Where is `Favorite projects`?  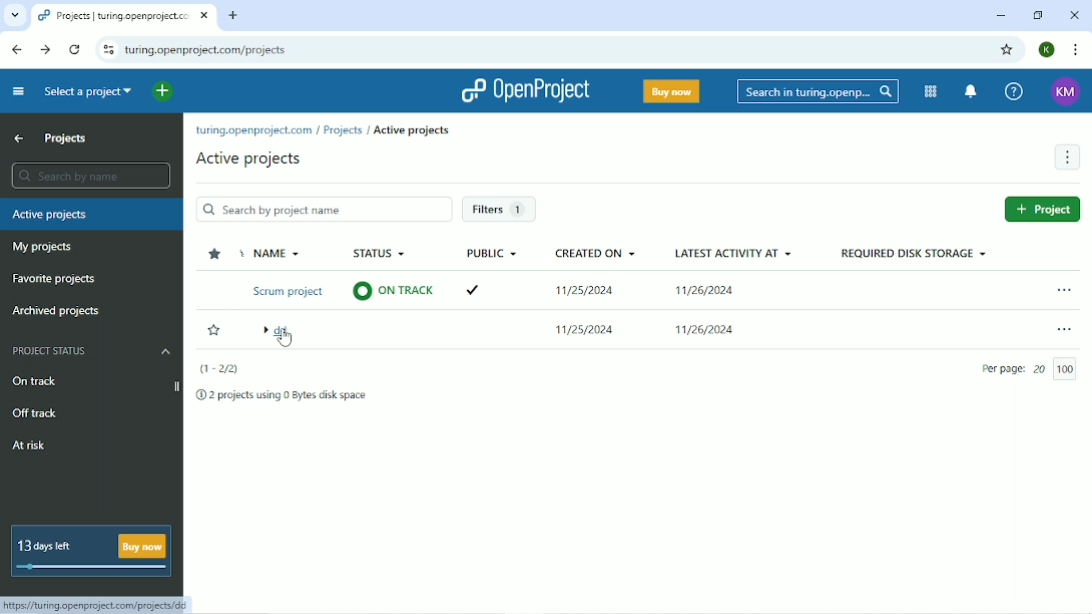 Favorite projects is located at coordinates (55, 280).